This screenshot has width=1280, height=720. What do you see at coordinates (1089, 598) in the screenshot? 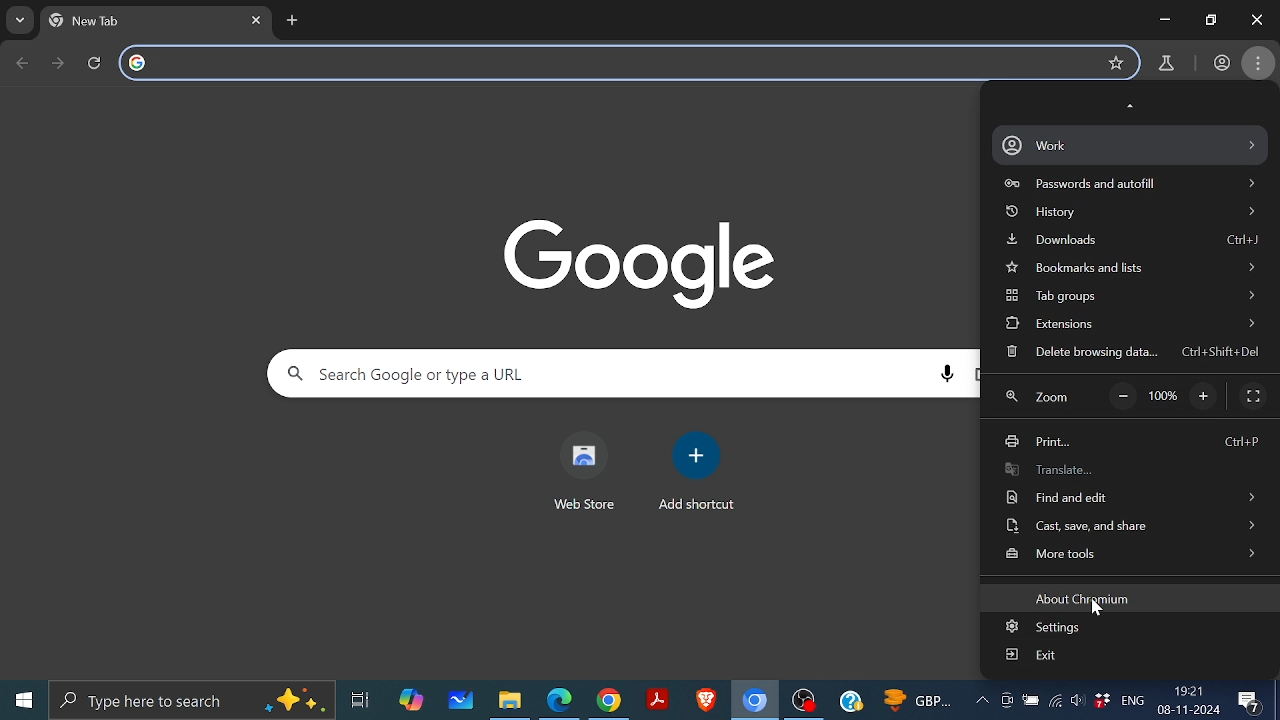
I see `about Chromium` at bounding box center [1089, 598].